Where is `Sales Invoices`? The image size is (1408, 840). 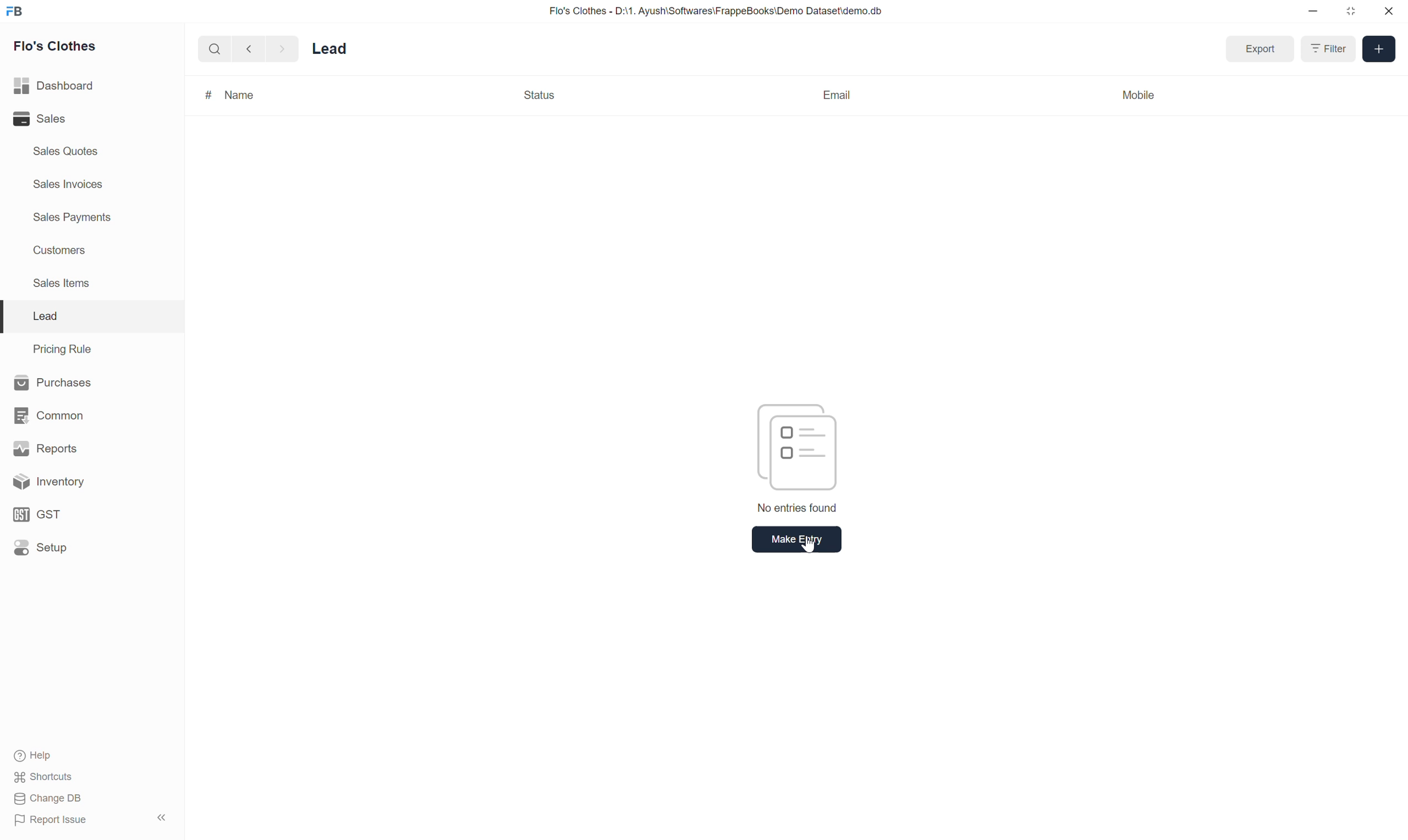
Sales Invoices is located at coordinates (71, 184).